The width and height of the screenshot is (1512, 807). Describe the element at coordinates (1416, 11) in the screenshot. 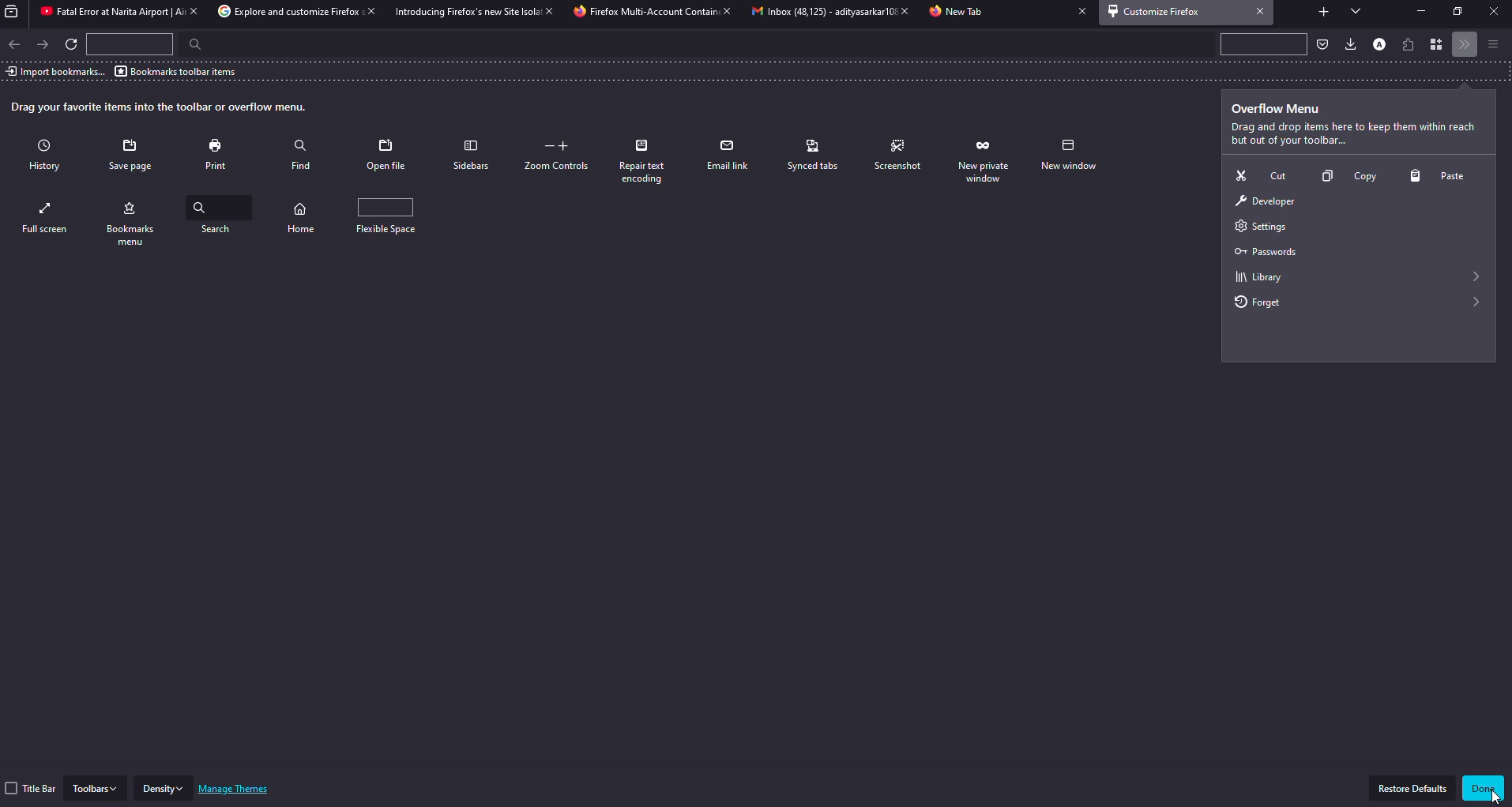

I see `minimize` at that location.